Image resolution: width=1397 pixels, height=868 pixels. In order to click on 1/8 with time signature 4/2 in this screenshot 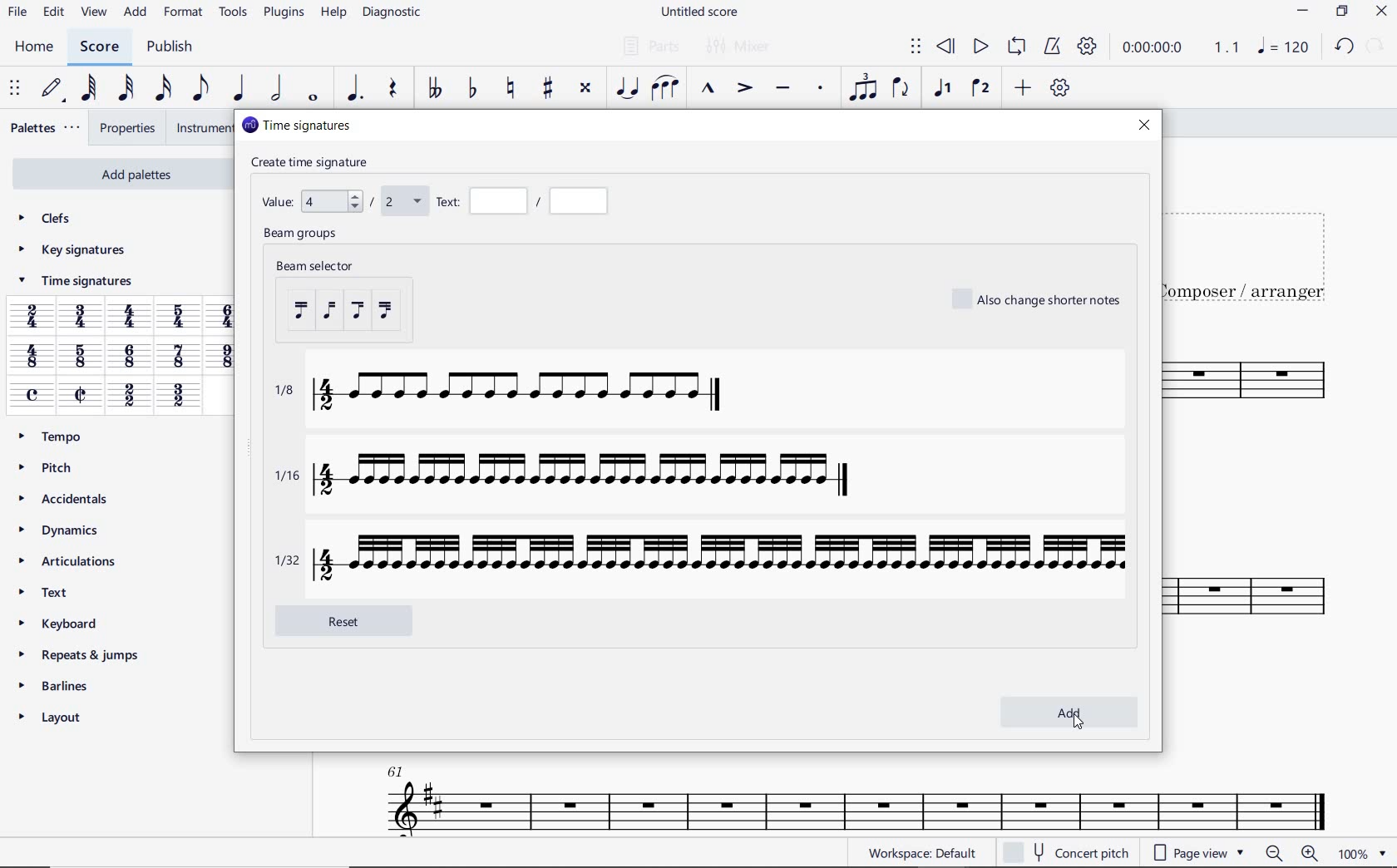, I will do `click(506, 395)`.